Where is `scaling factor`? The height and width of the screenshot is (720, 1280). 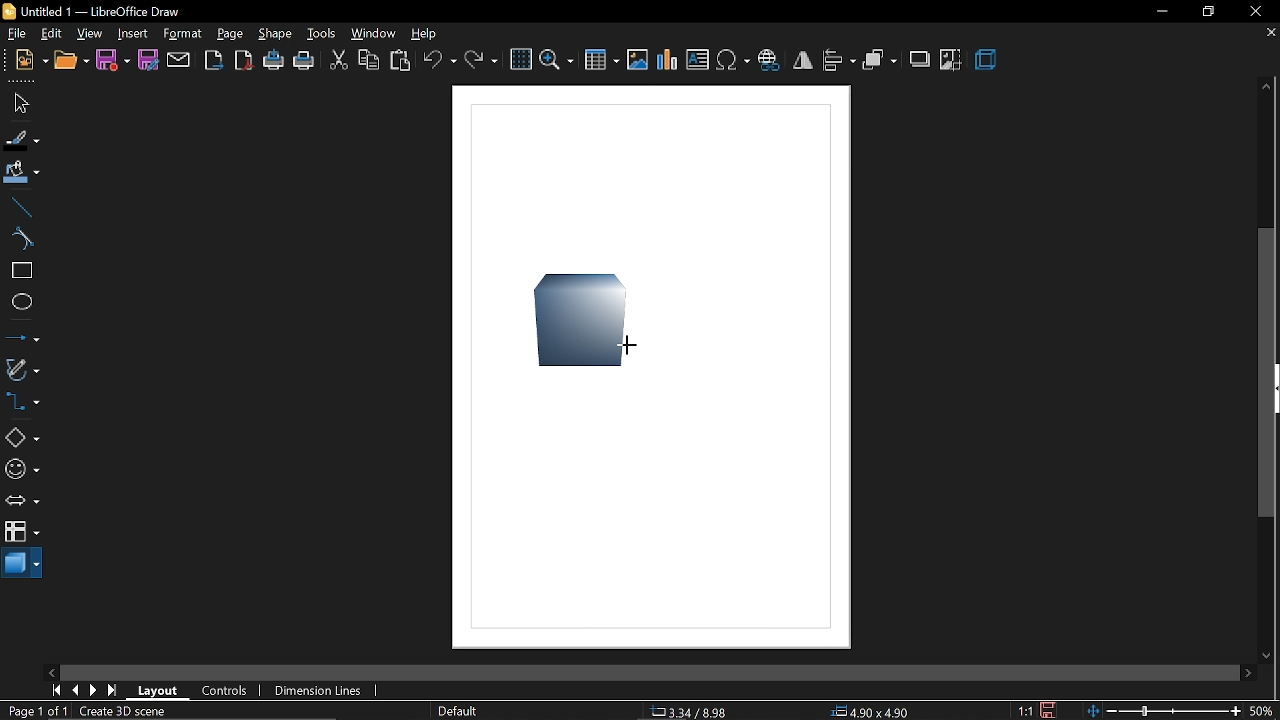
scaling factor is located at coordinates (1024, 711).